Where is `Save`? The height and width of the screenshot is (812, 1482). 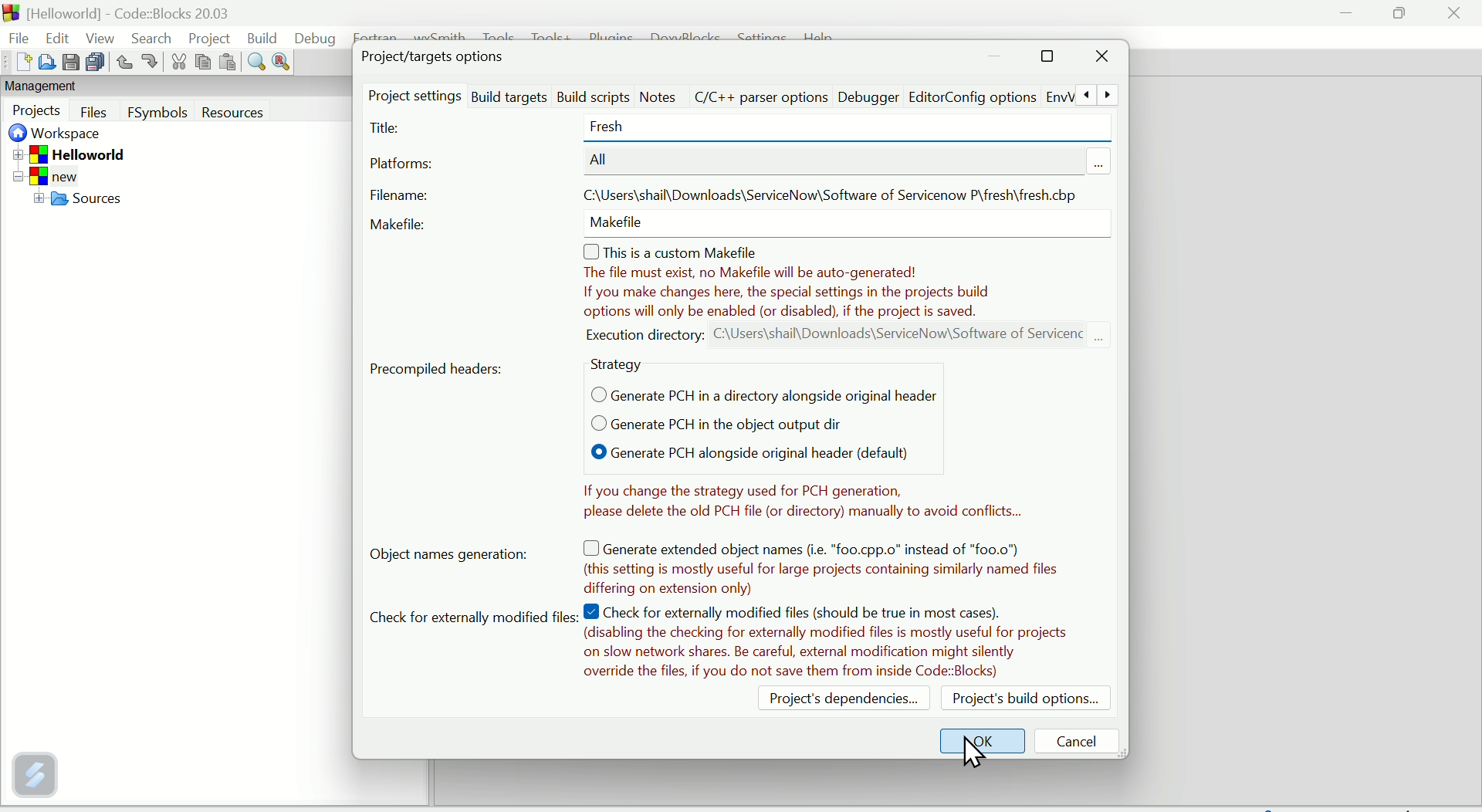
Save is located at coordinates (72, 62).